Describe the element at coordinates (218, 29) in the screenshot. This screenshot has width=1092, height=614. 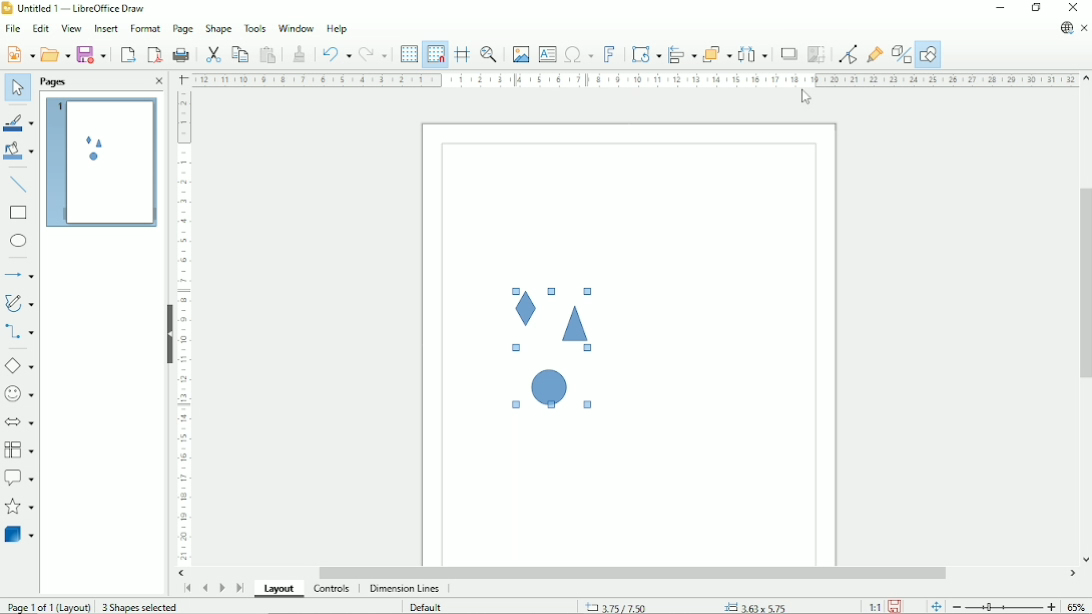
I see `Shape` at that location.